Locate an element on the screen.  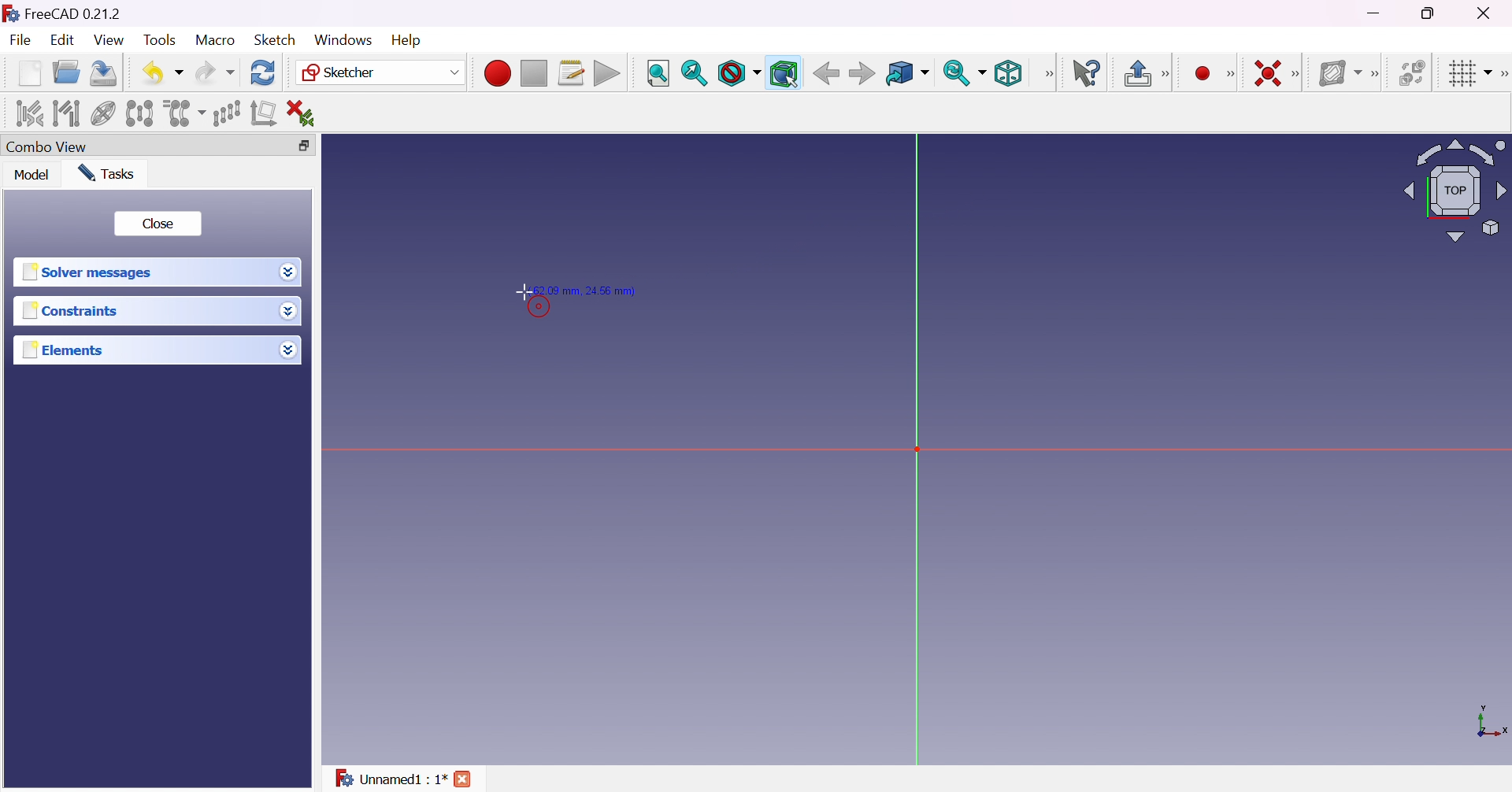
[Sketcher constraints] is located at coordinates (1299, 75).